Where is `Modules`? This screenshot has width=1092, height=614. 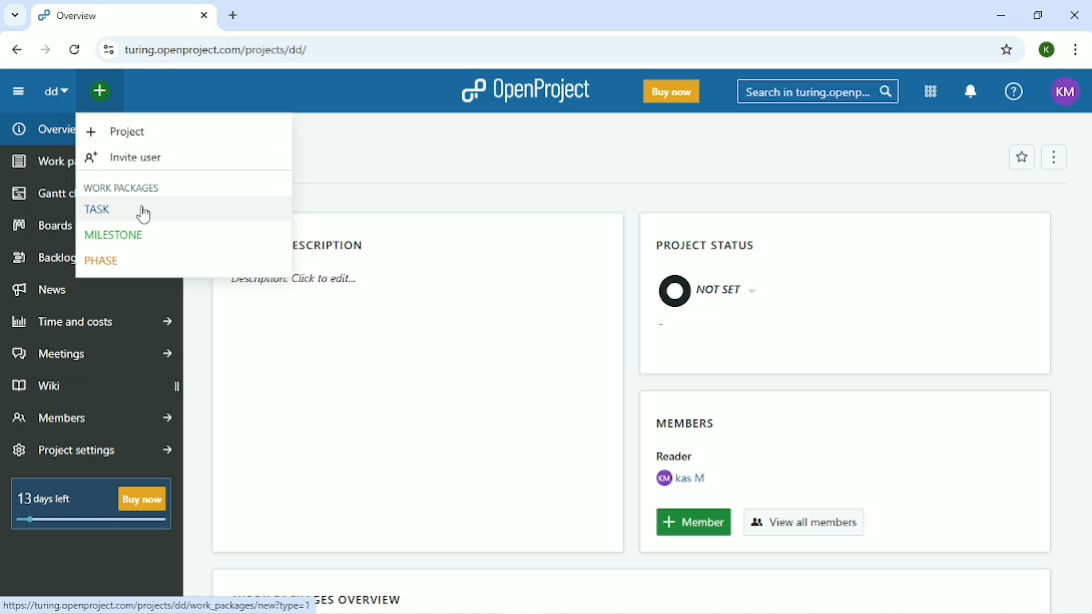 Modules is located at coordinates (929, 91).